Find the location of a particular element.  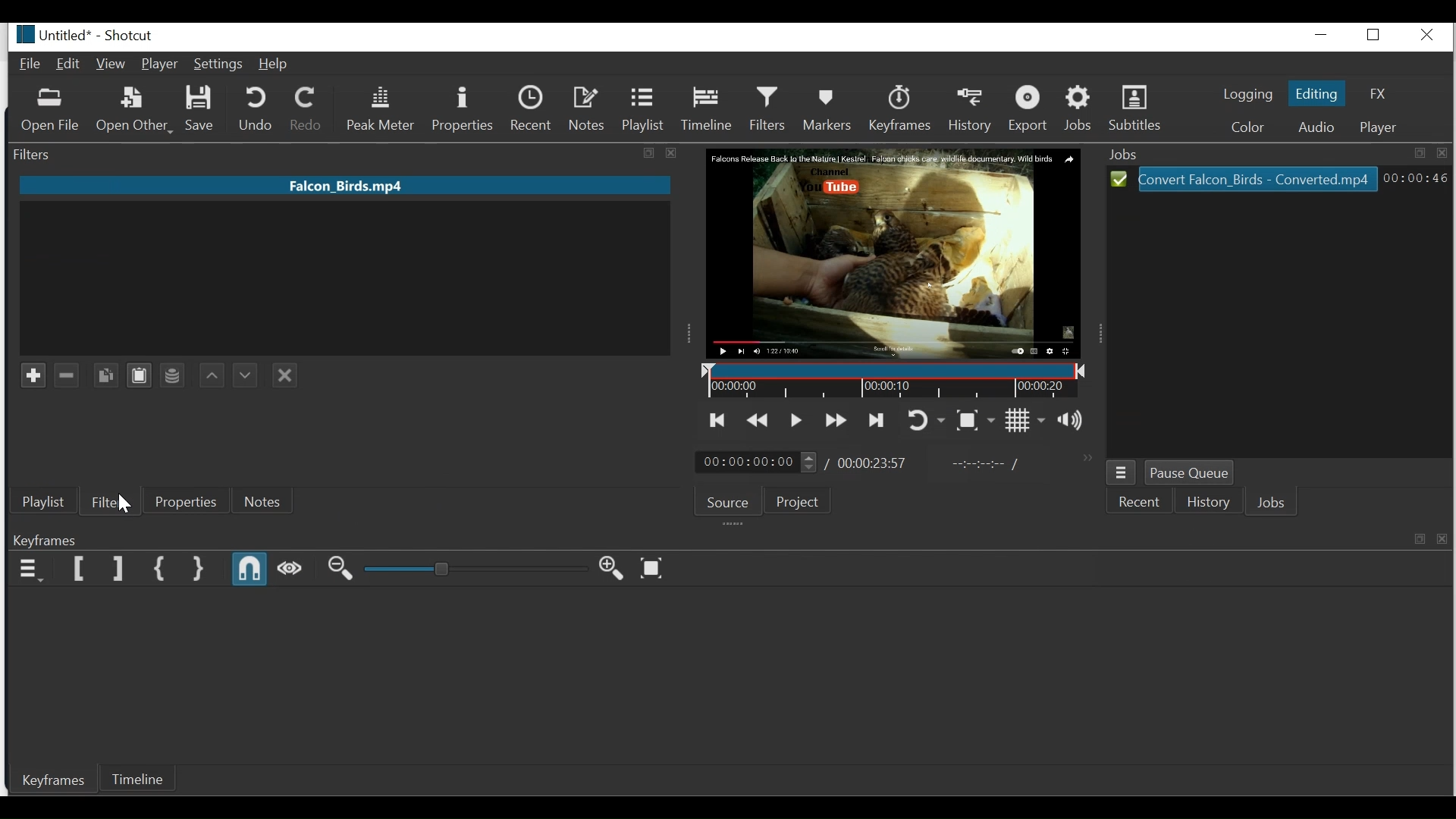

Timeline is located at coordinates (140, 780).